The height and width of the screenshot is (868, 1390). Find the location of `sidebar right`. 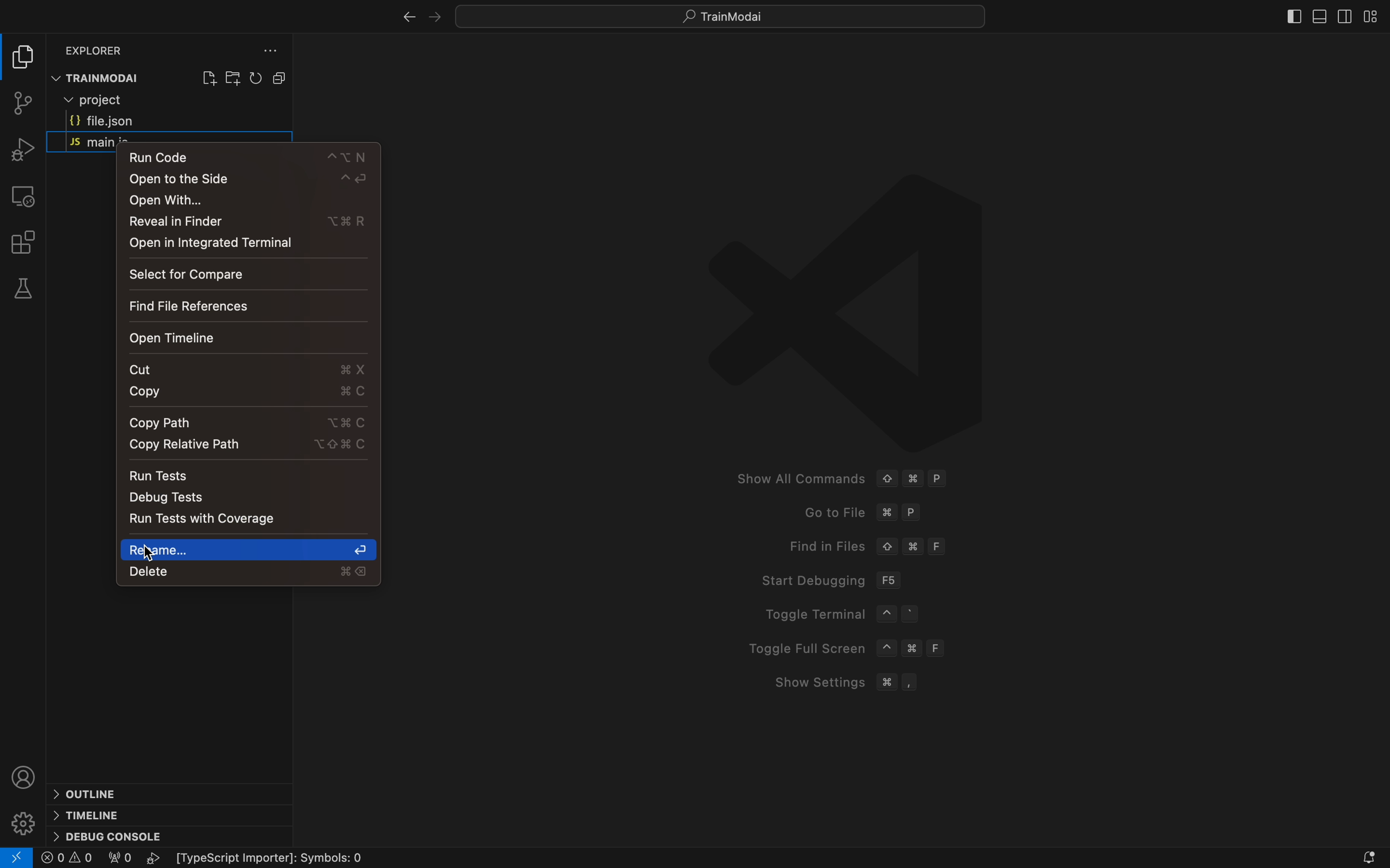

sidebar right is located at coordinates (1345, 18).